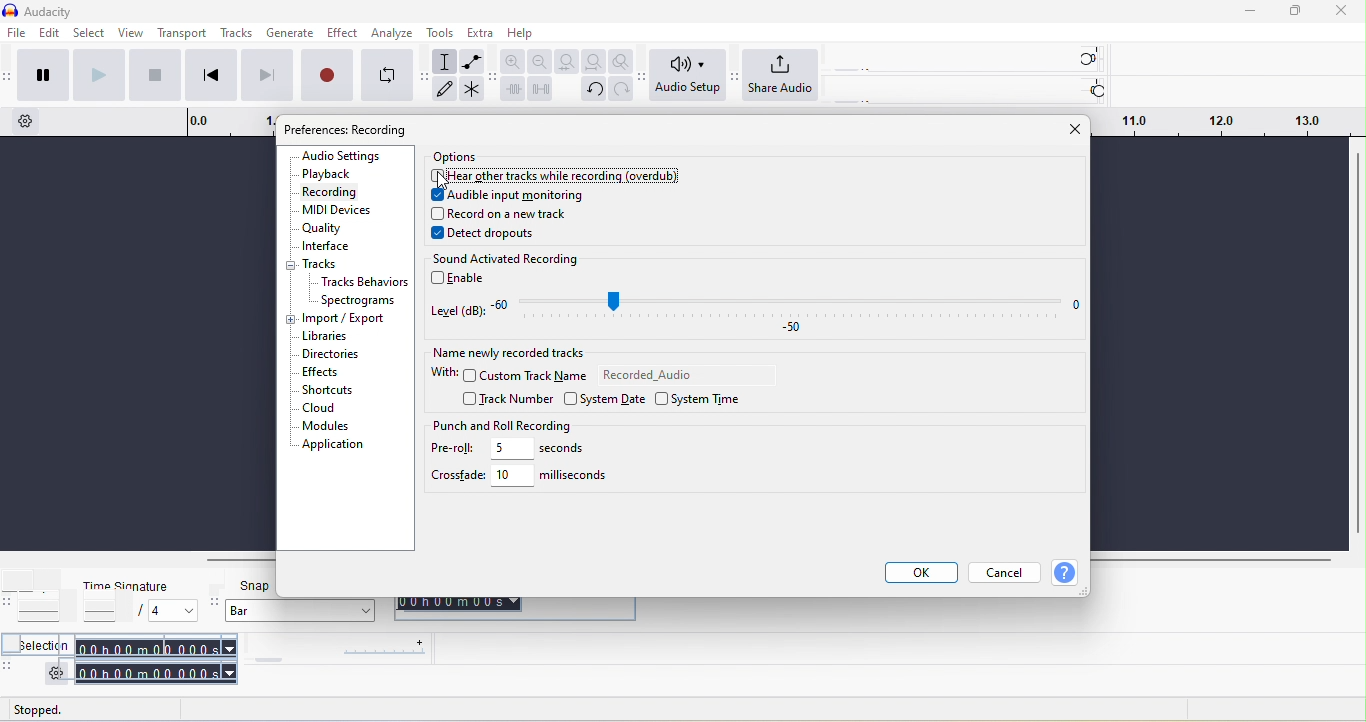  What do you see at coordinates (1342, 12) in the screenshot?
I see `close` at bounding box center [1342, 12].